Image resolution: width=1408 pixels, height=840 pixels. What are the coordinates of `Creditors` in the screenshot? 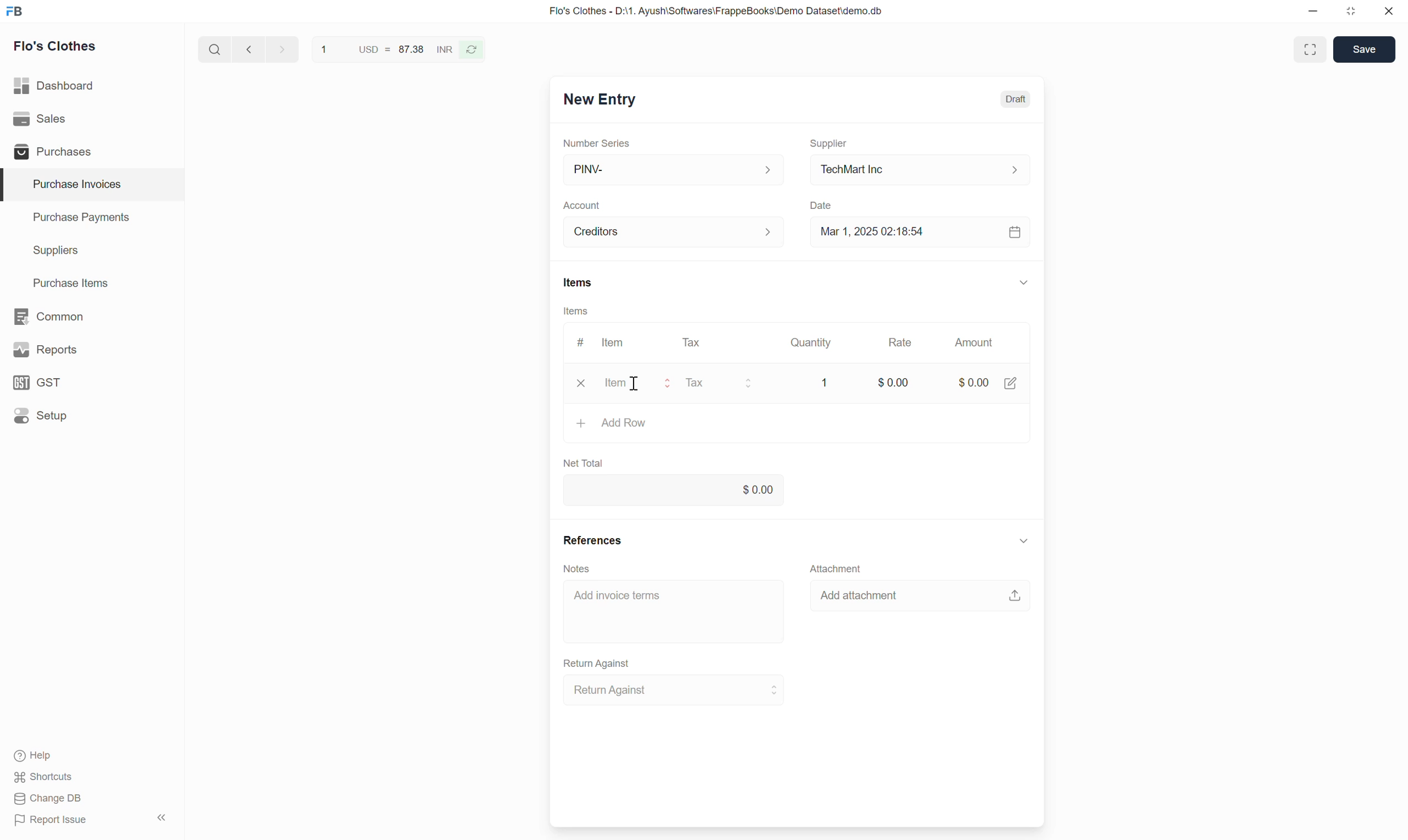 It's located at (675, 232).